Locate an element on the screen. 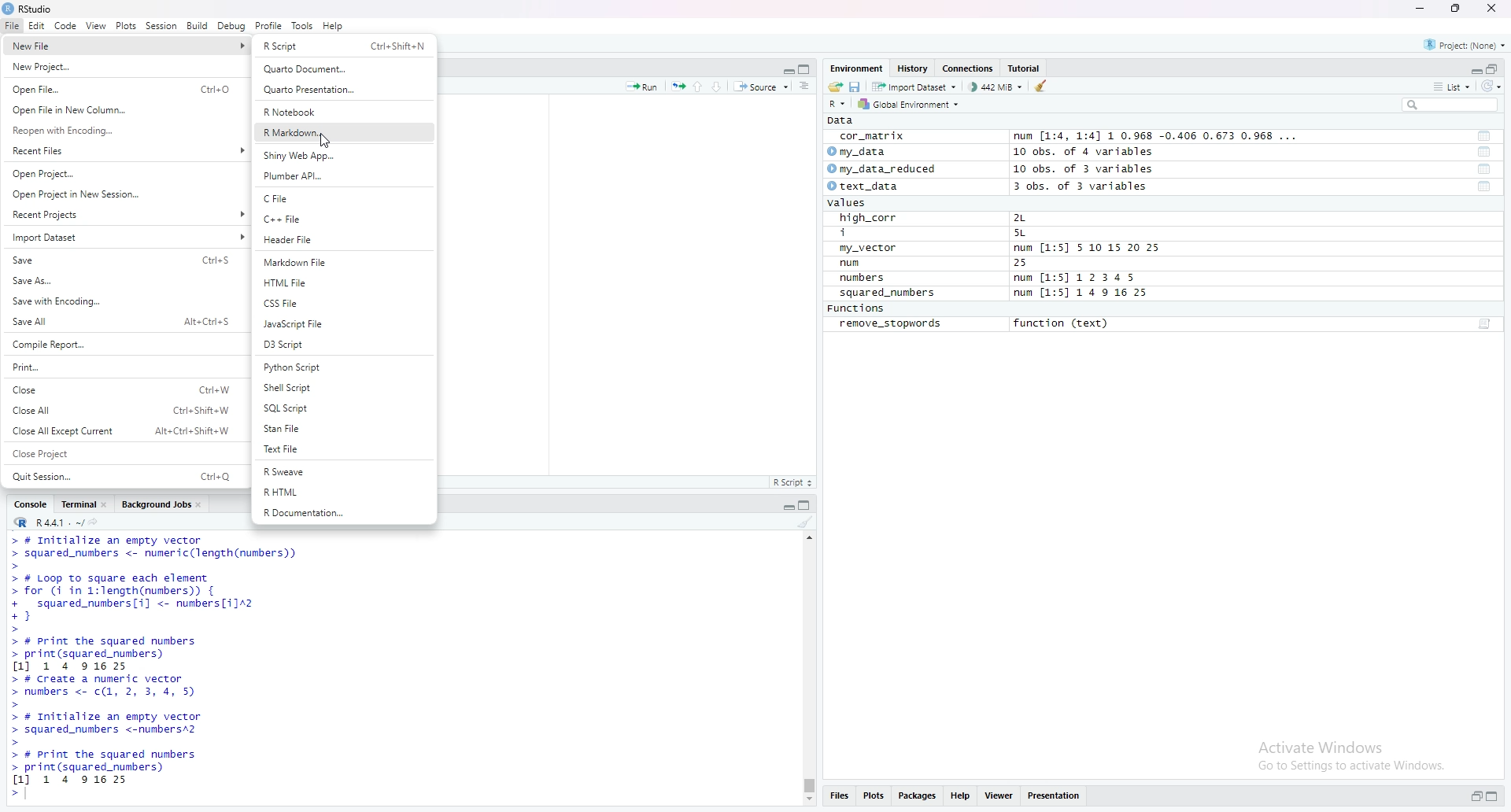 The image size is (1511, 812). i is located at coordinates (863, 231).